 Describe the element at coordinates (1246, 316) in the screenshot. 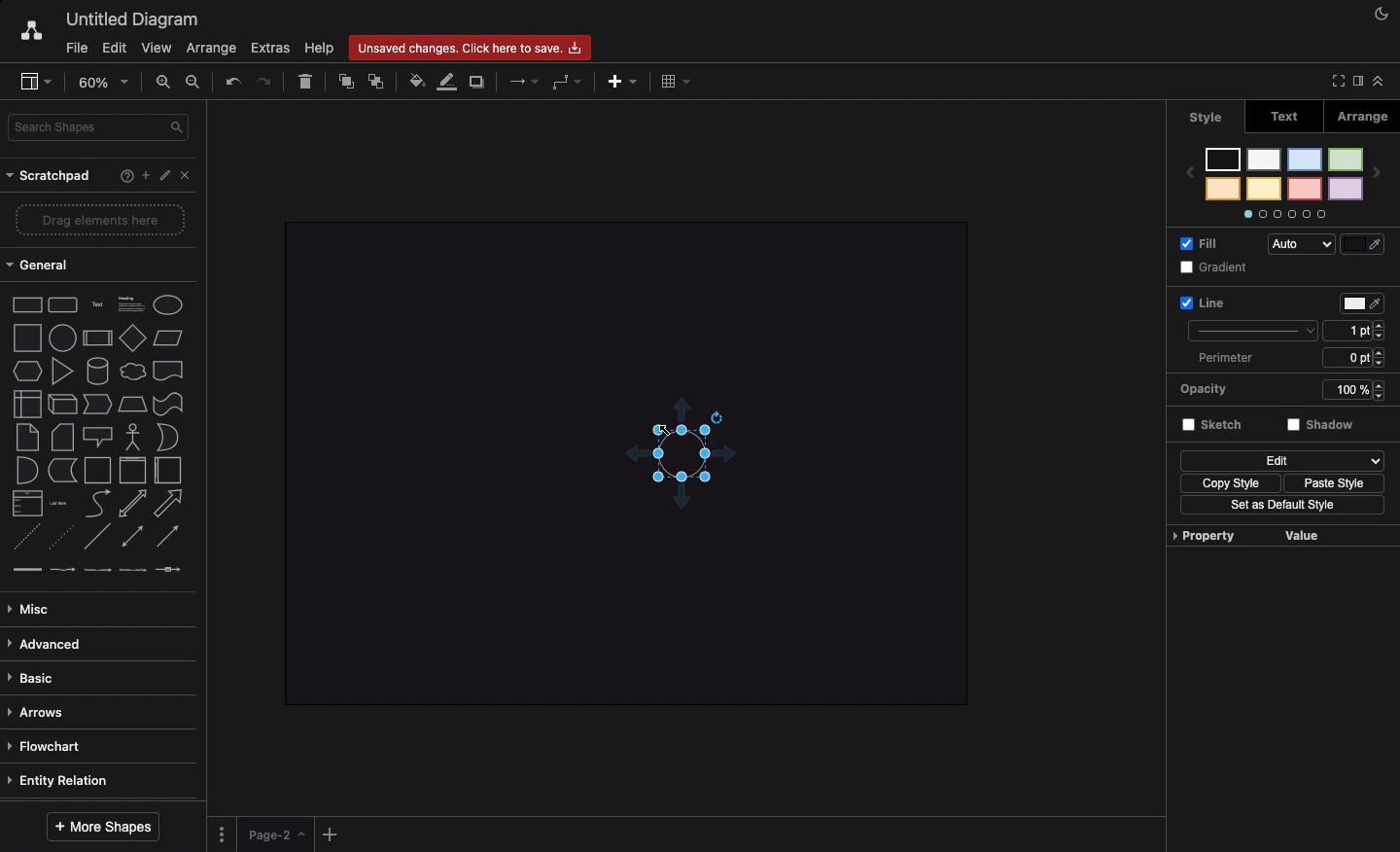

I see `Line` at that location.